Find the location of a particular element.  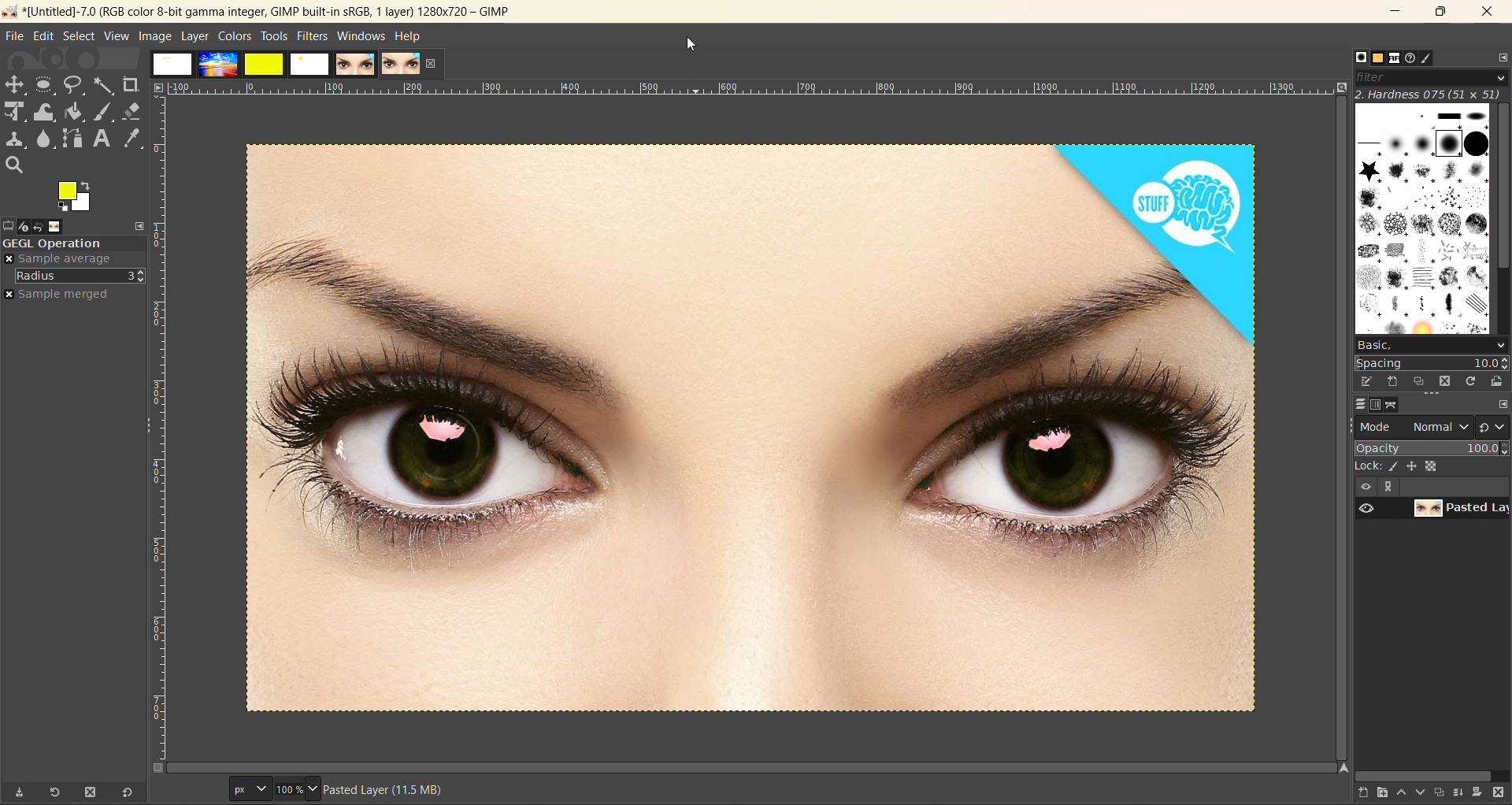

expand is located at coordinates (1392, 487).